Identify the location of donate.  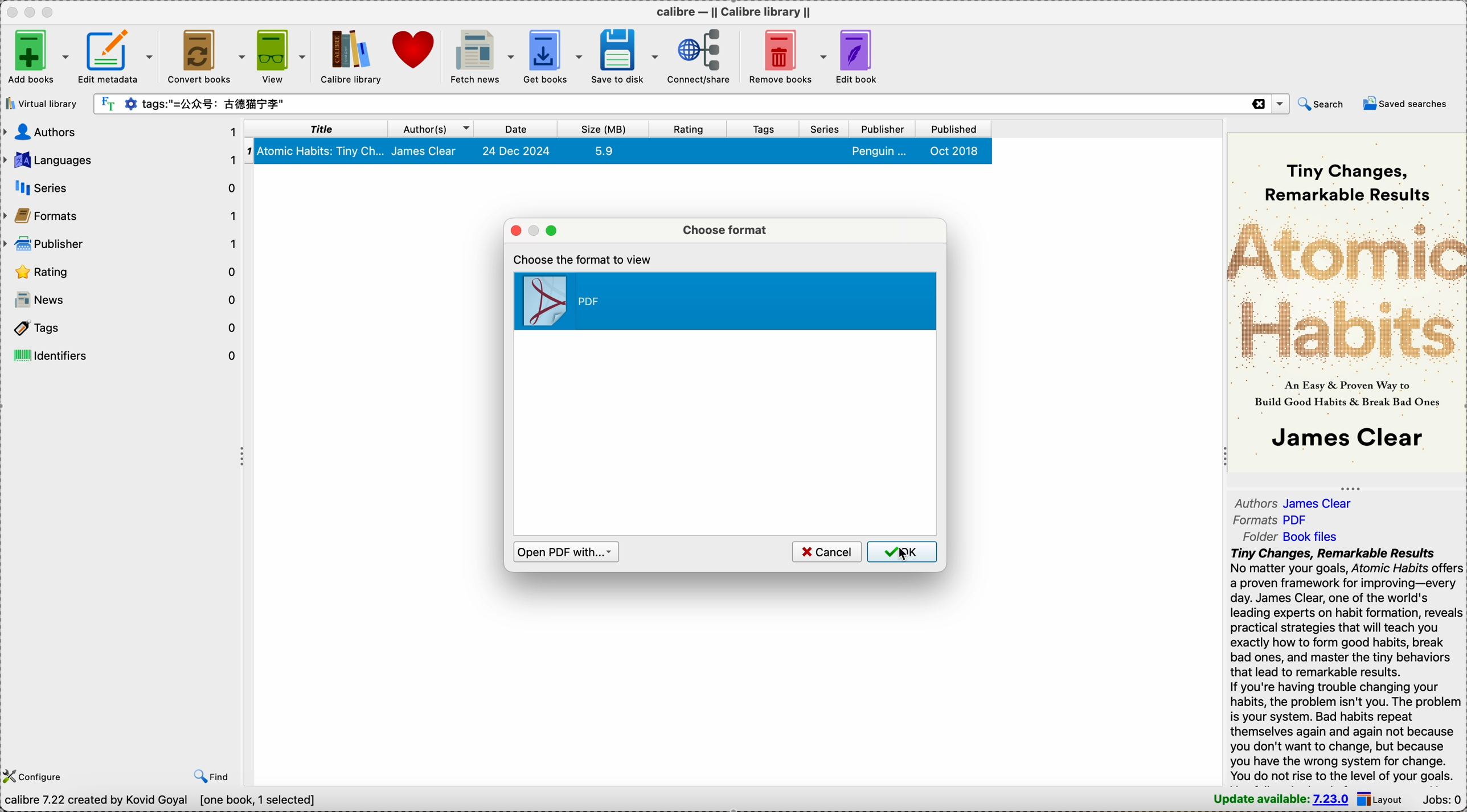
(415, 50).